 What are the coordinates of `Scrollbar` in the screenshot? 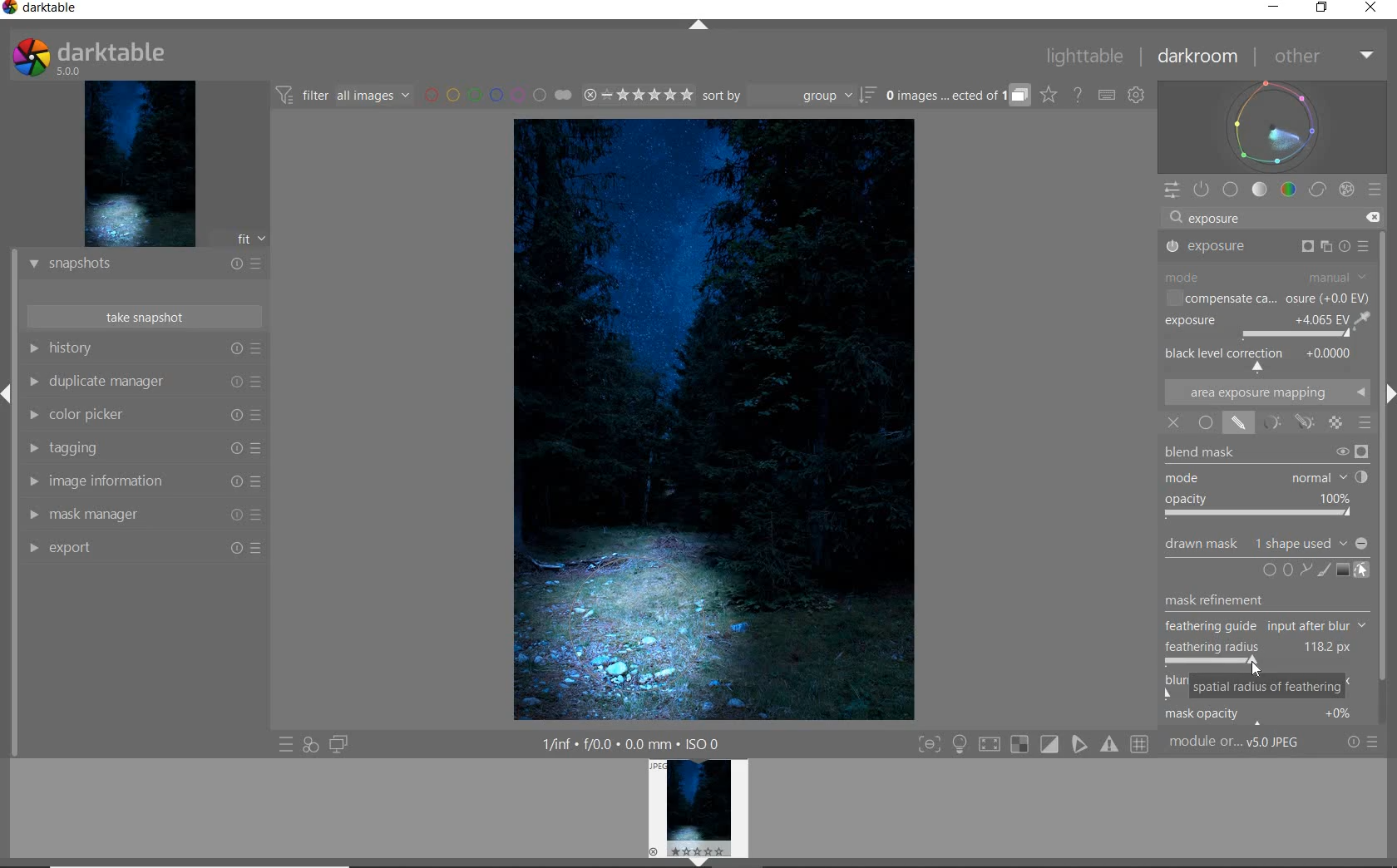 It's located at (1389, 565).